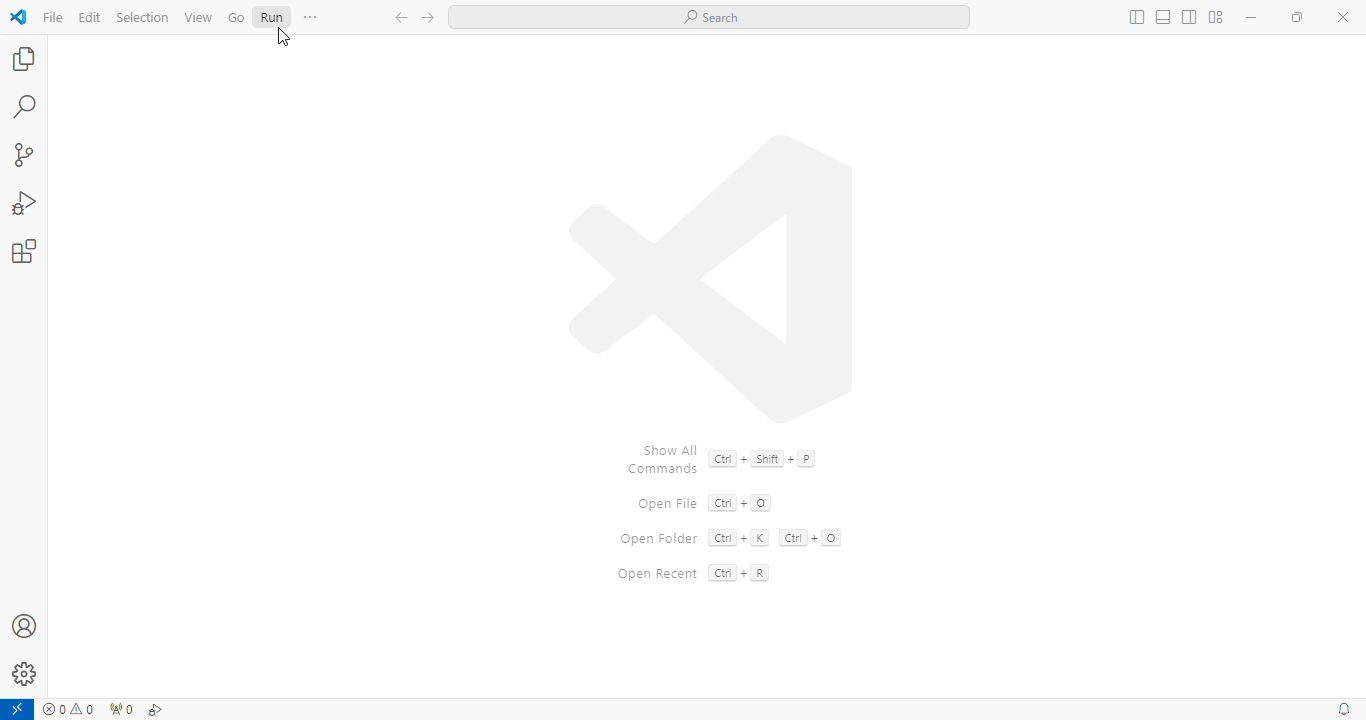 Image resolution: width=1366 pixels, height=720 pixels. I want to click on toggle panel, so click(1164, 17).